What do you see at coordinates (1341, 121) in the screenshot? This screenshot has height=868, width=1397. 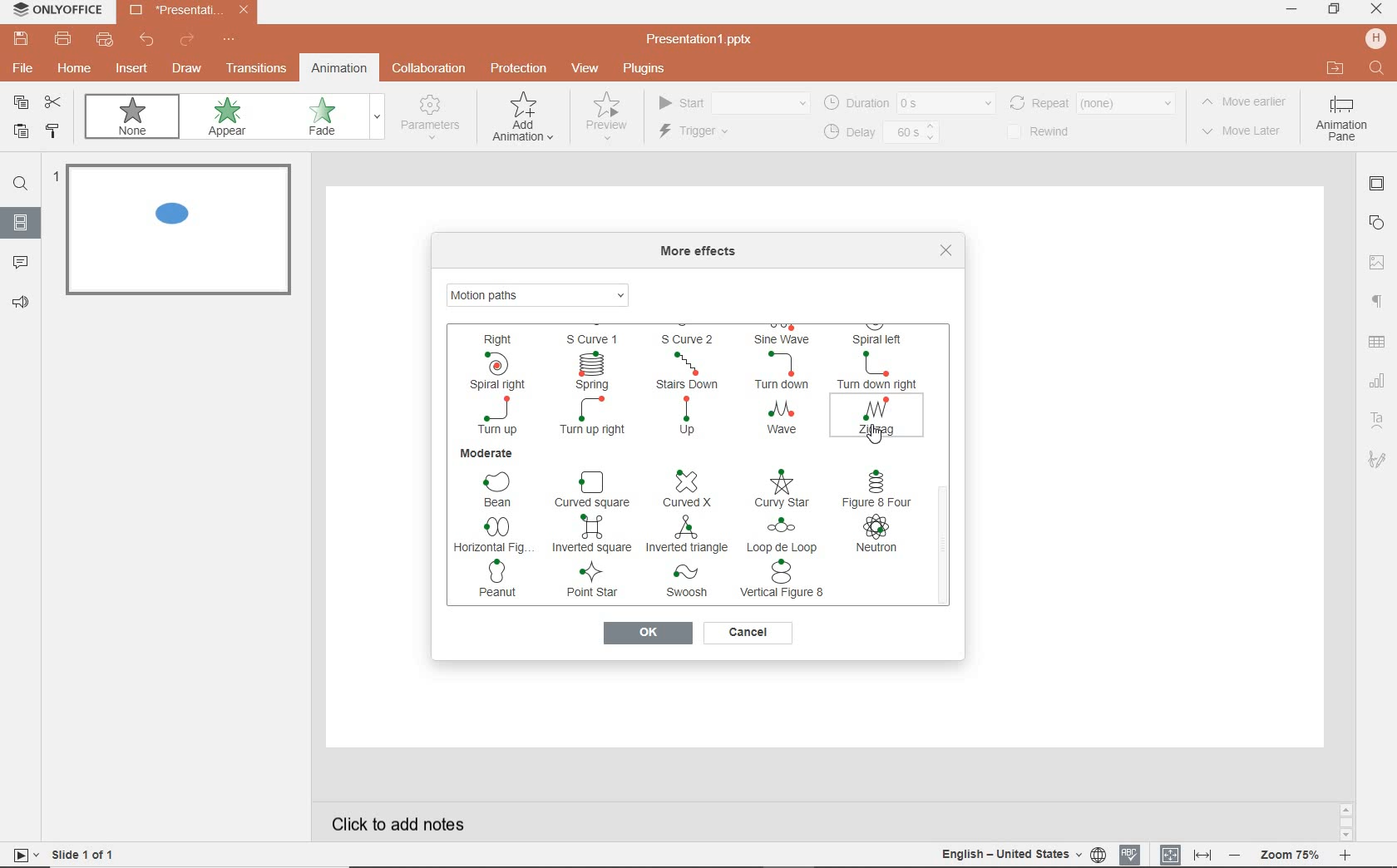 I see `Animation pane` at bounding box center [1341, 121].